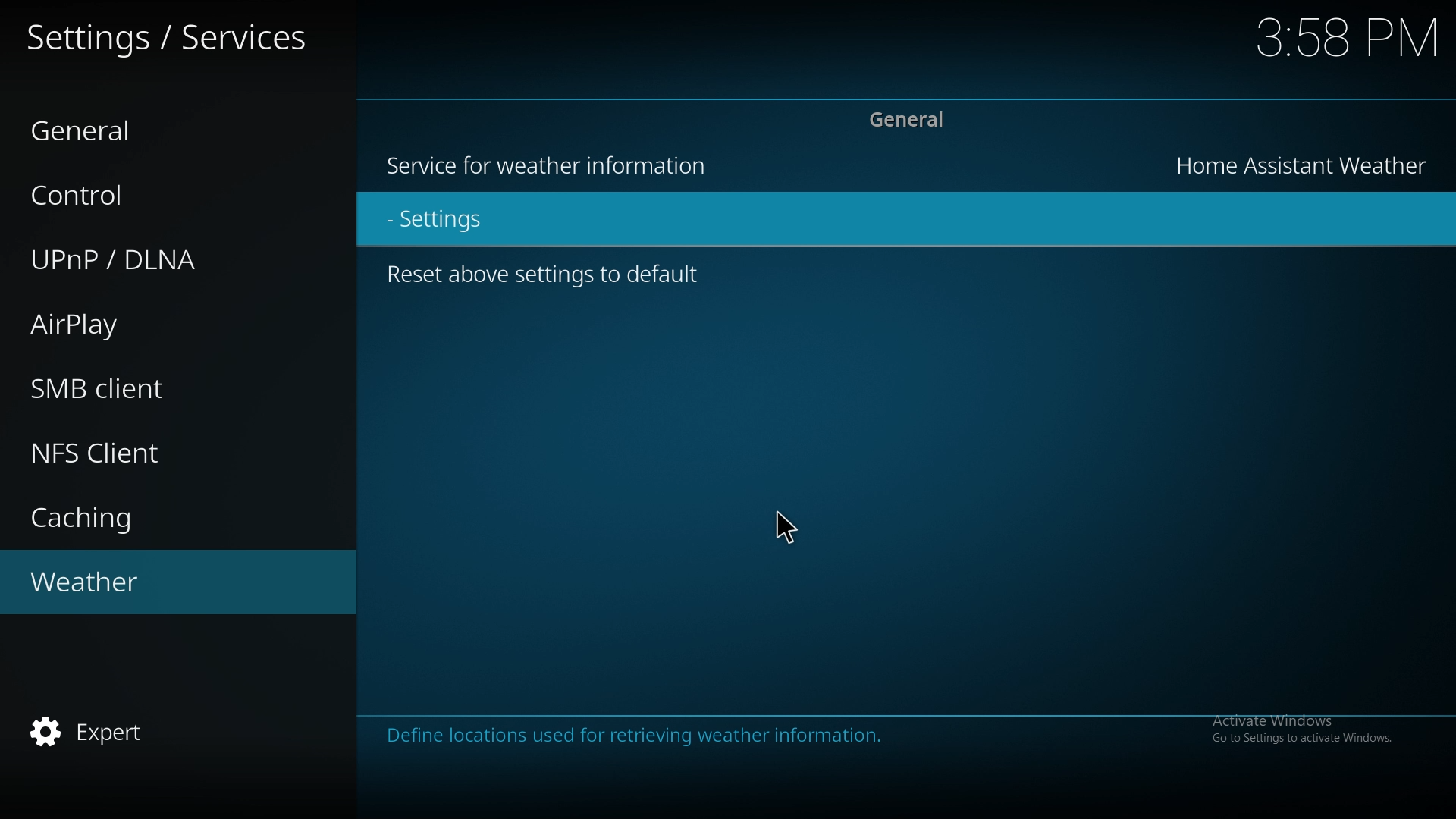 The width and height of the screenshot is (1456, 819). Describe the element at coordinates (1307, 164) in the screenshot. I see `Home assistant weather` at that location.